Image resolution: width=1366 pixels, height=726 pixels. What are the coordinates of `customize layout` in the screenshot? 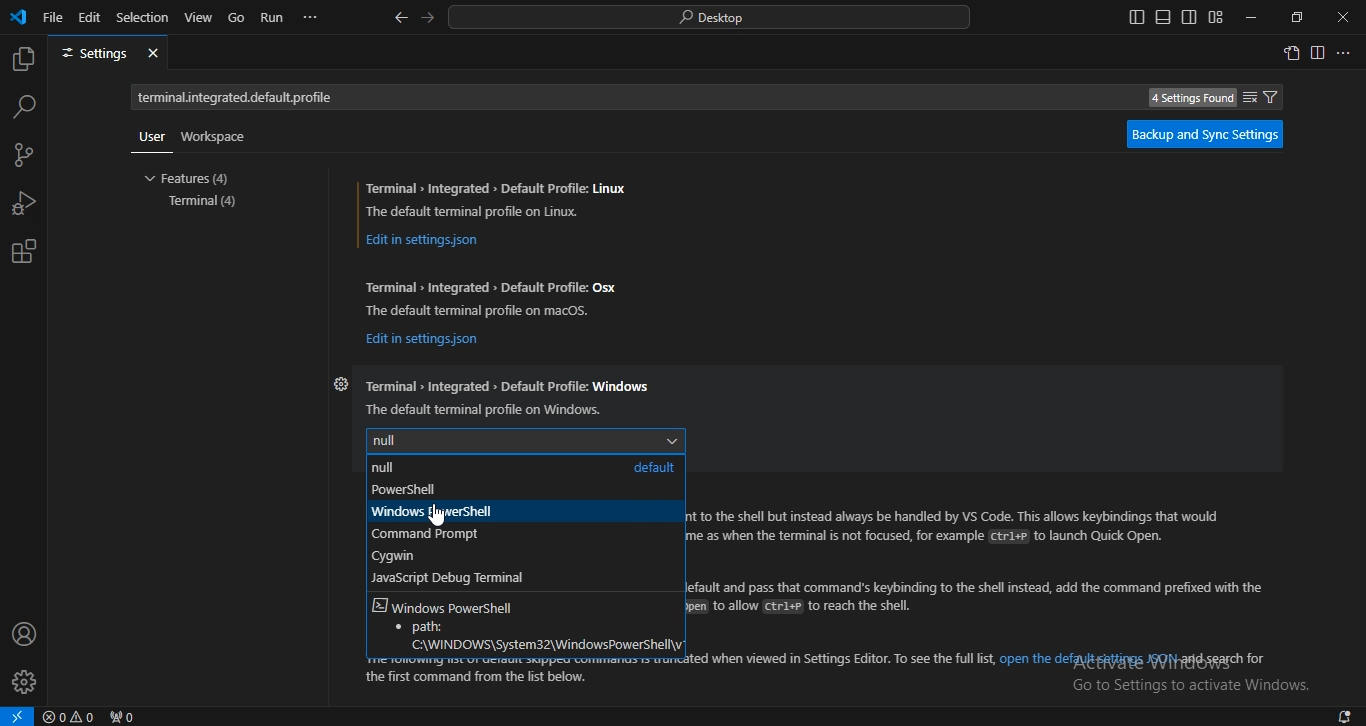 It's located at (1216, 16).